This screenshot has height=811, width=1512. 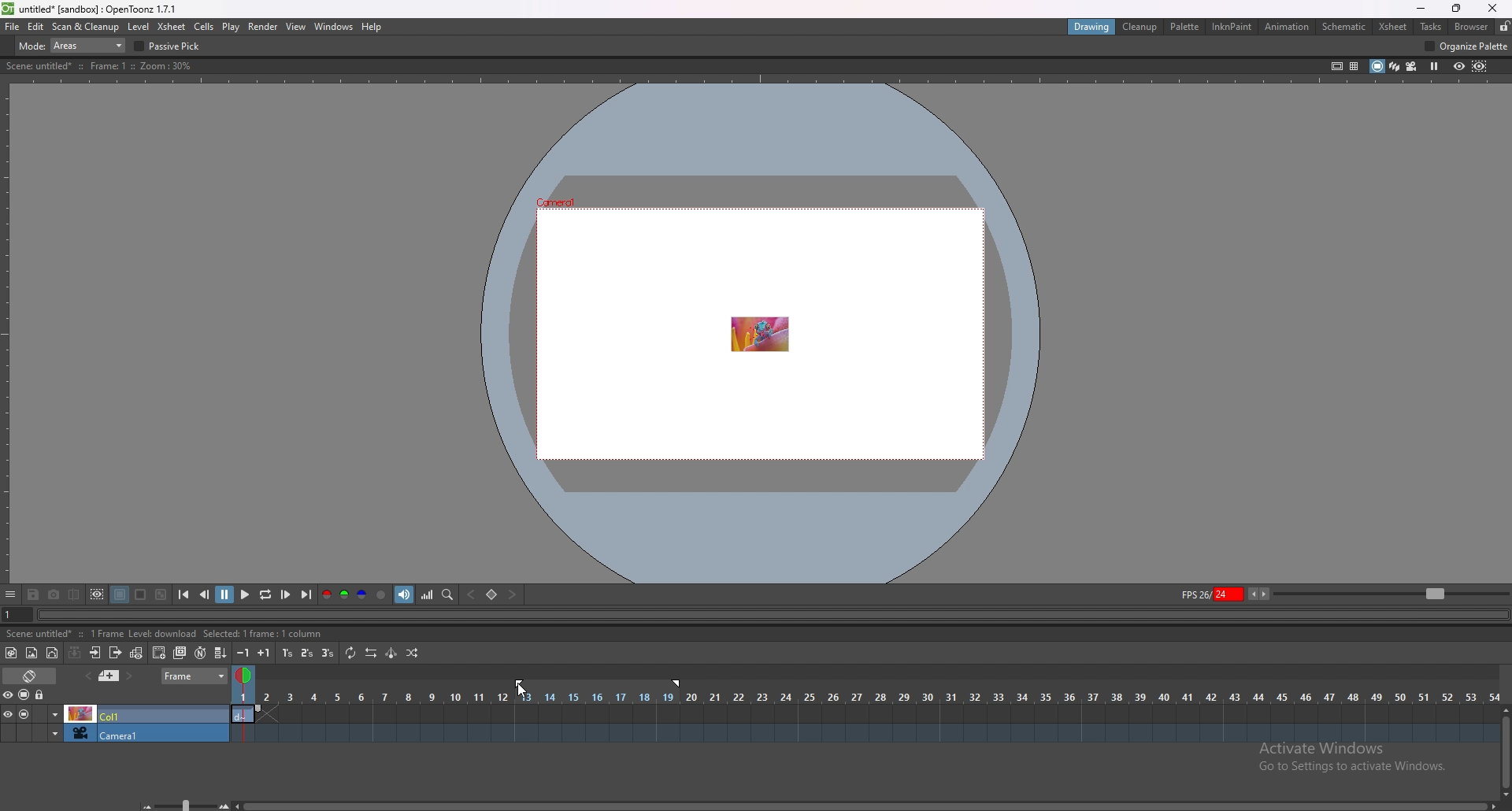 What do you see at coordinates (180, 803) in the screenshot?
I see `zoom` at bounding box center [180, 803].